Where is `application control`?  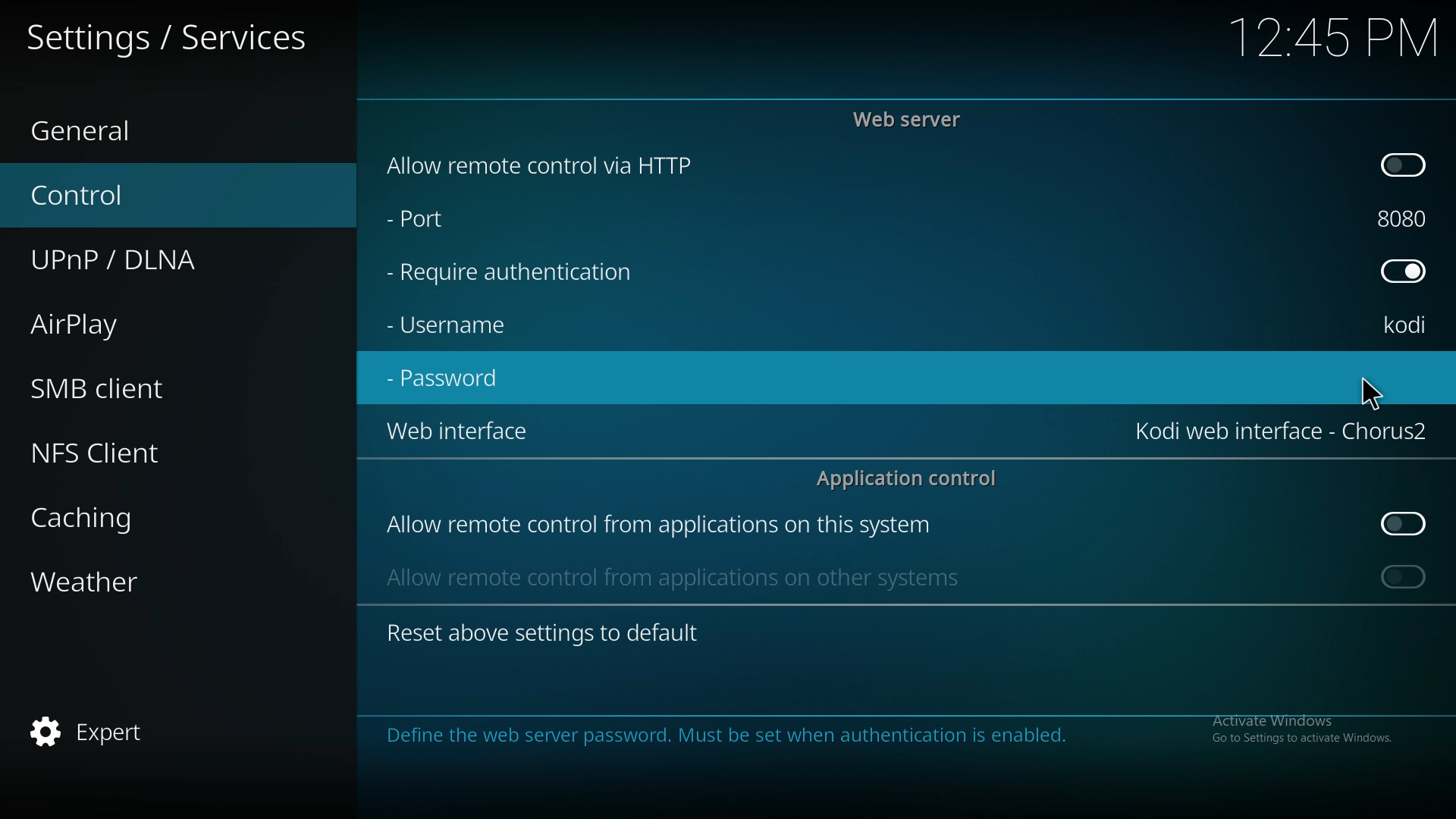 application control is located at coordinates (915, 478).